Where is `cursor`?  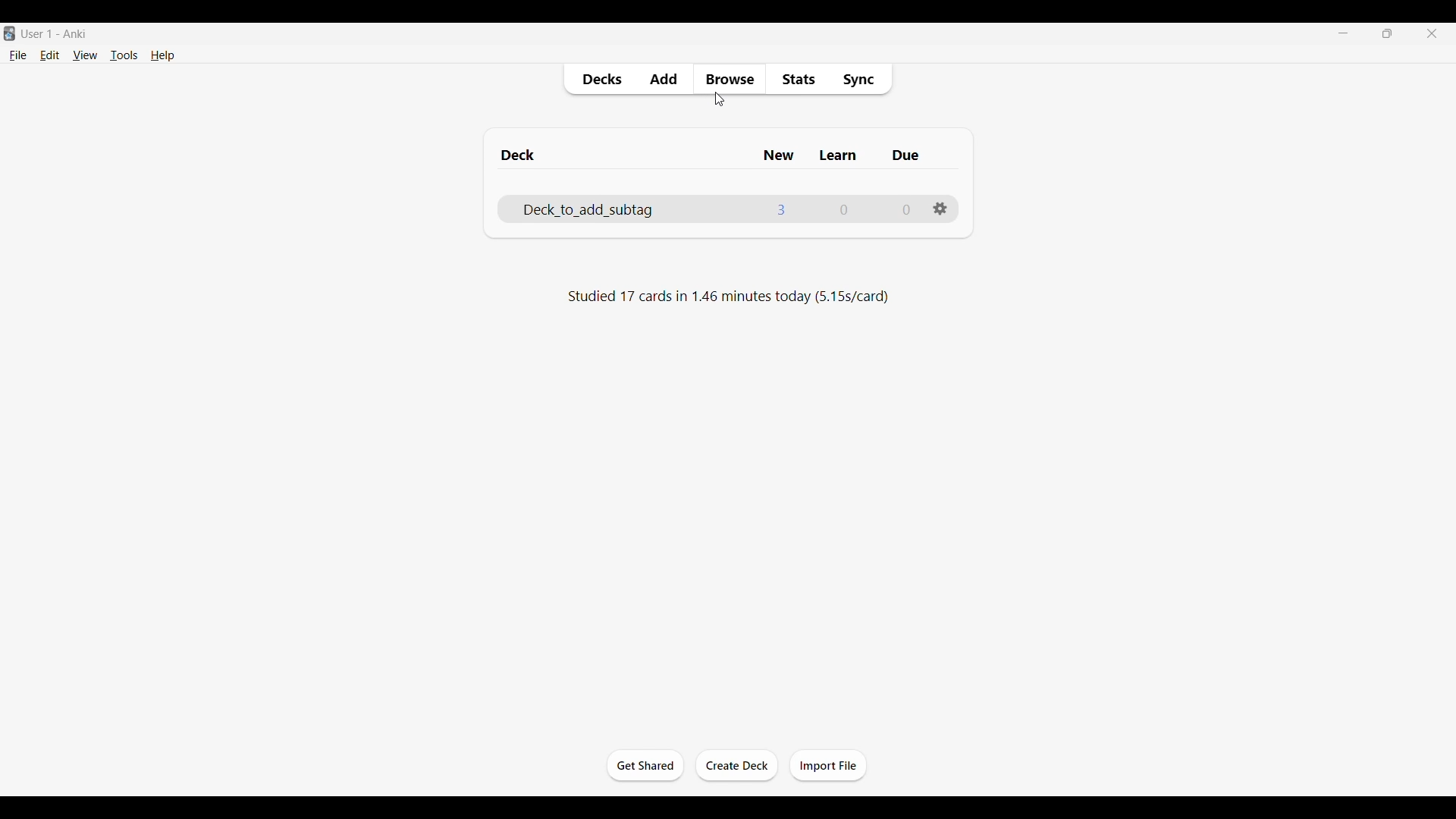 cursor is located at coordinates (722, 101).